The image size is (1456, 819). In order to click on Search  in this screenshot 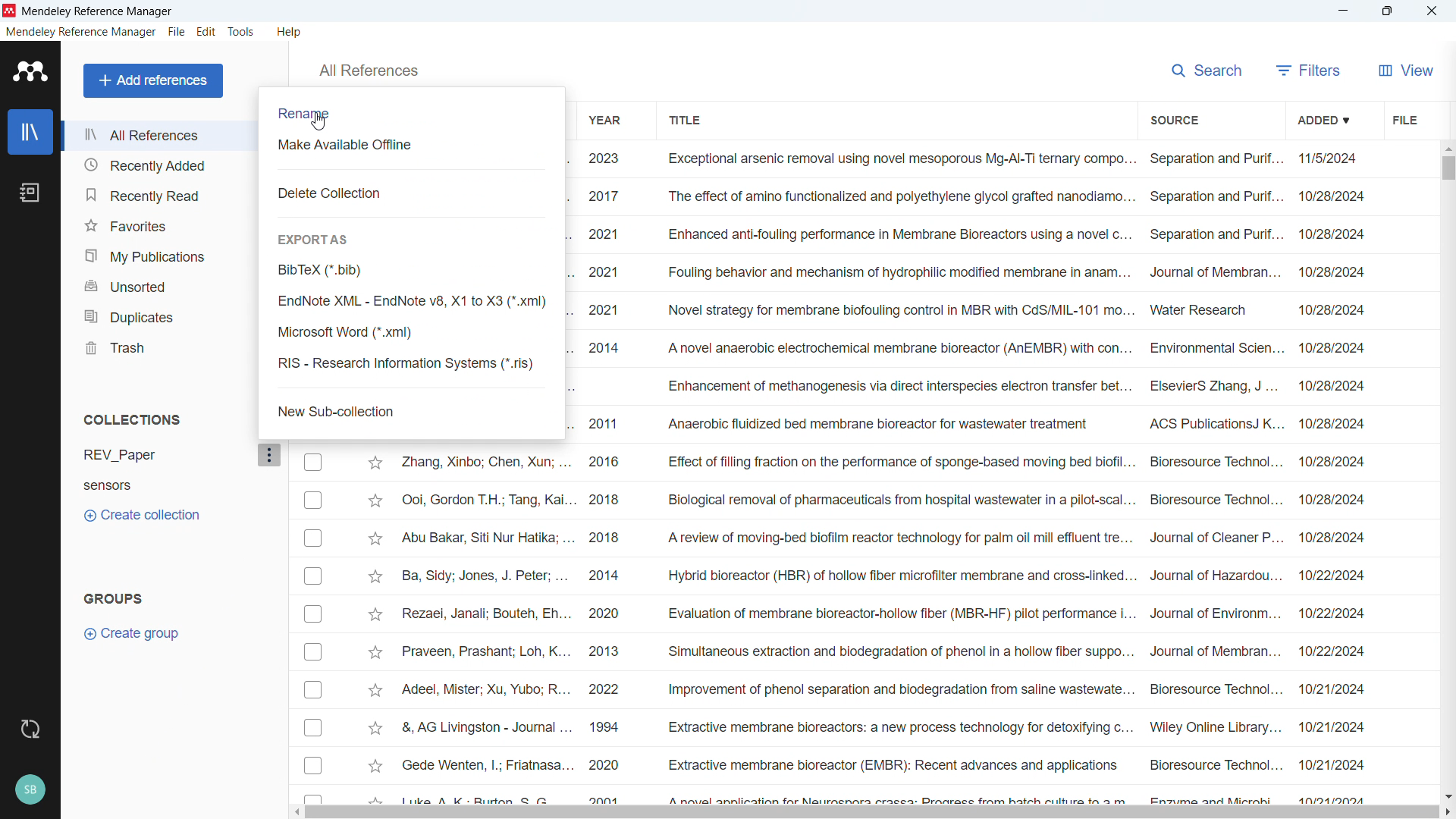, I will do `click(1207, 68)`.